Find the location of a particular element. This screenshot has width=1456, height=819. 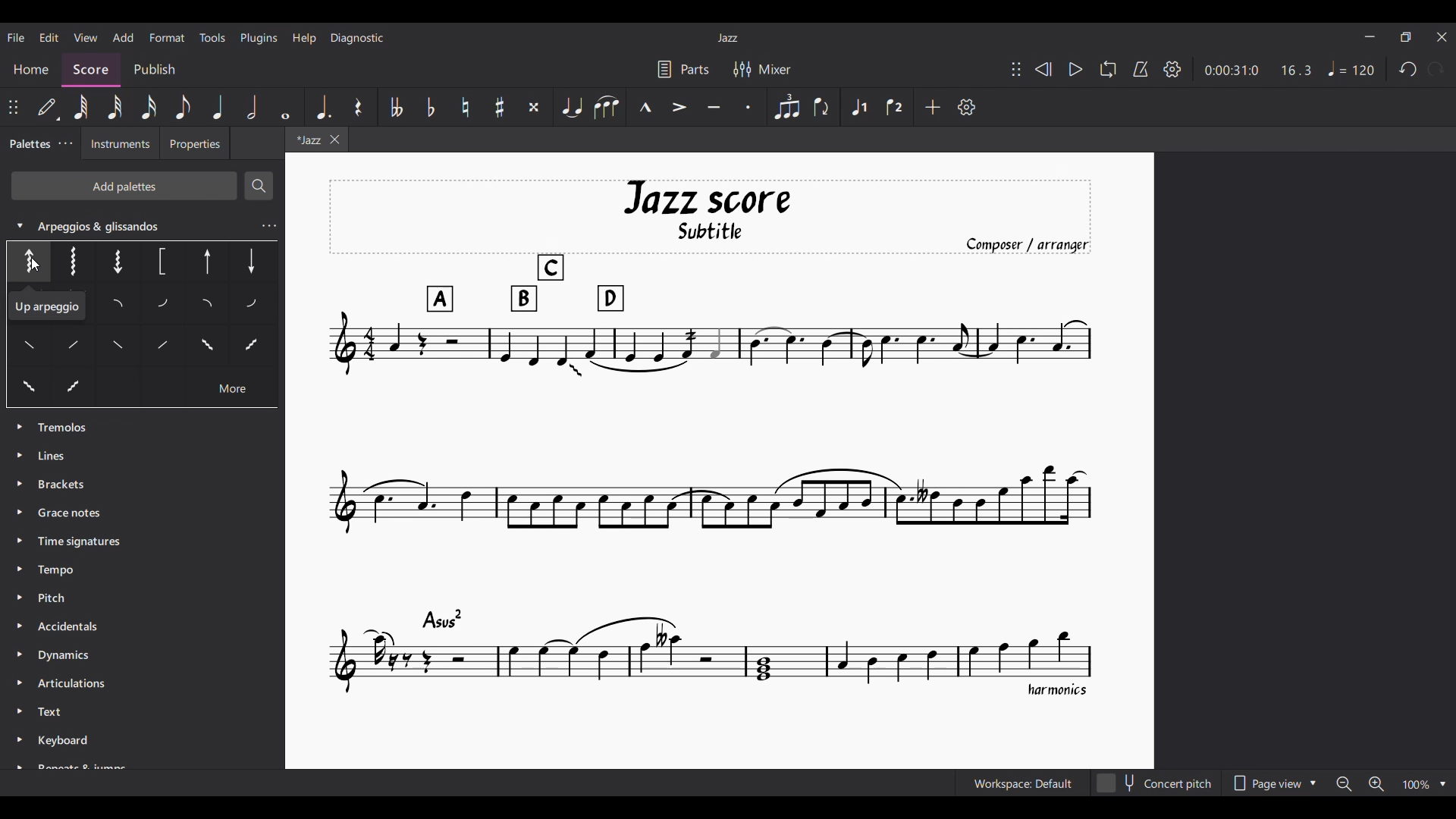

Text is located at coordinates (55, 713).